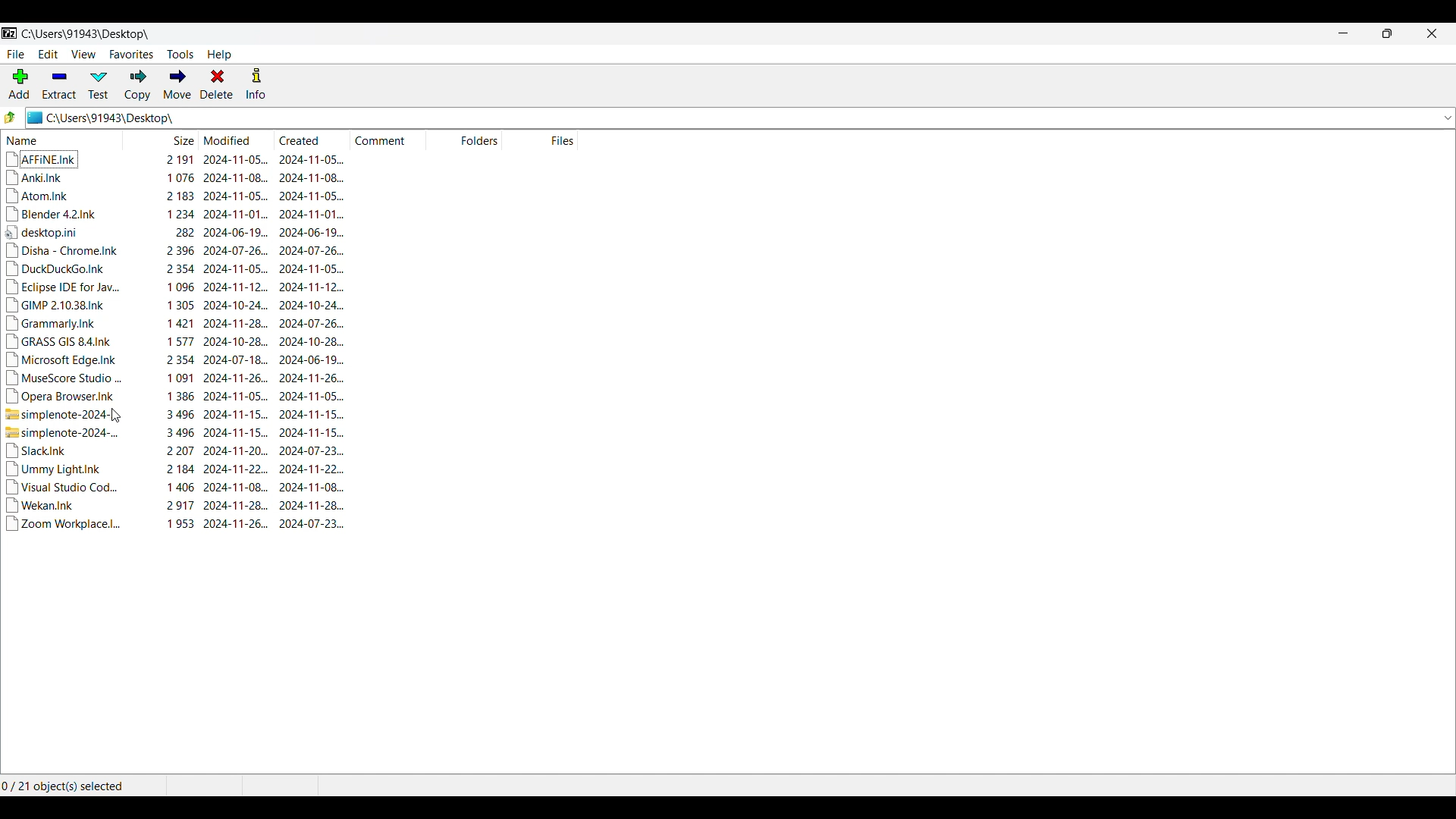  What do you see at coordinates (11, 118) in the screenshot?
I see `Go to previous folder` at bounding box center [11, 118].